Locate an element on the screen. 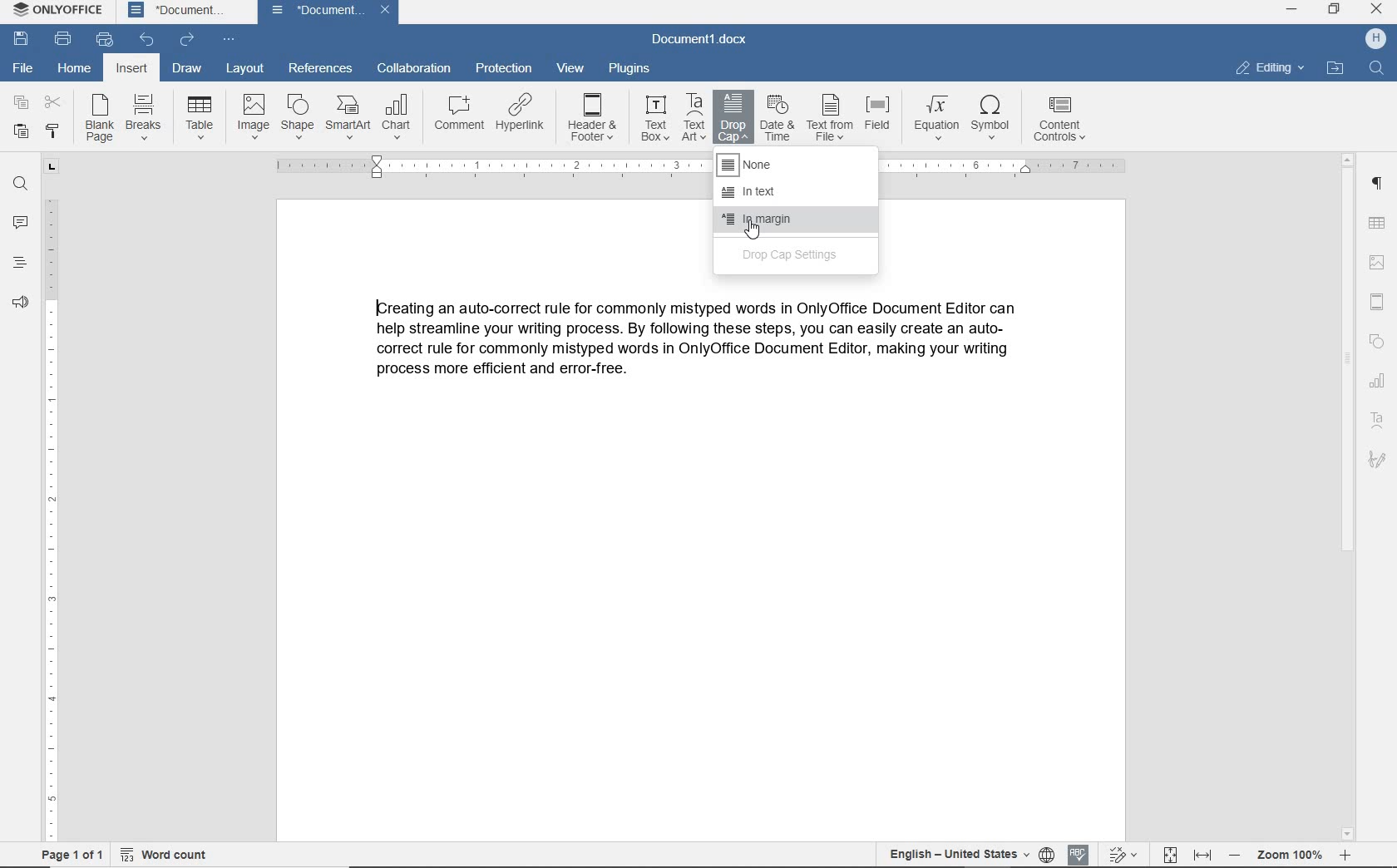 The height and width of the screenshot is (868, 1397). plugins is located at coordinates (631, 70).